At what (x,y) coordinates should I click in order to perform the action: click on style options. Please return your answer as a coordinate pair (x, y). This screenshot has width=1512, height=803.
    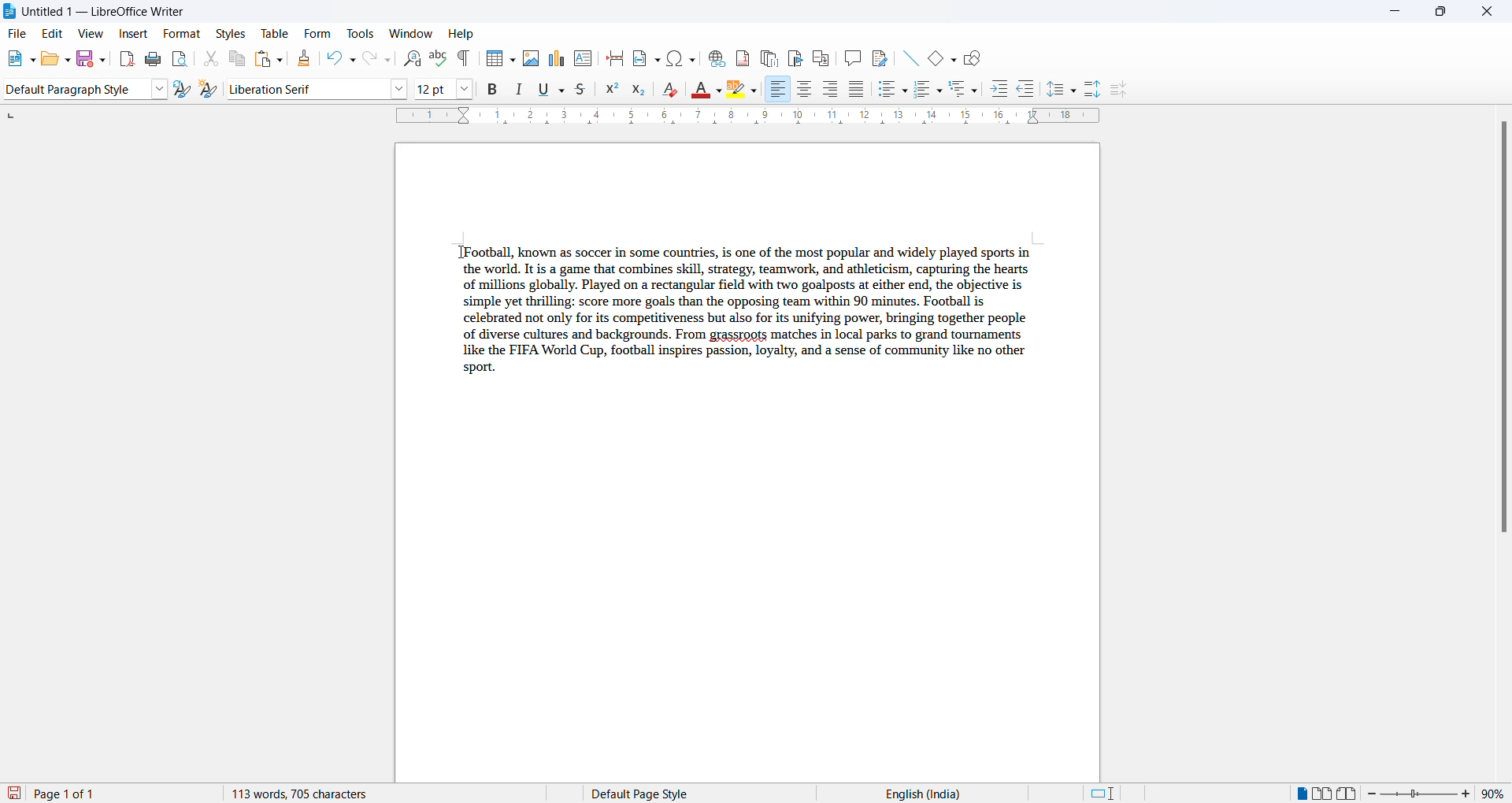
    Looking at the image, I should click on (161, 89).